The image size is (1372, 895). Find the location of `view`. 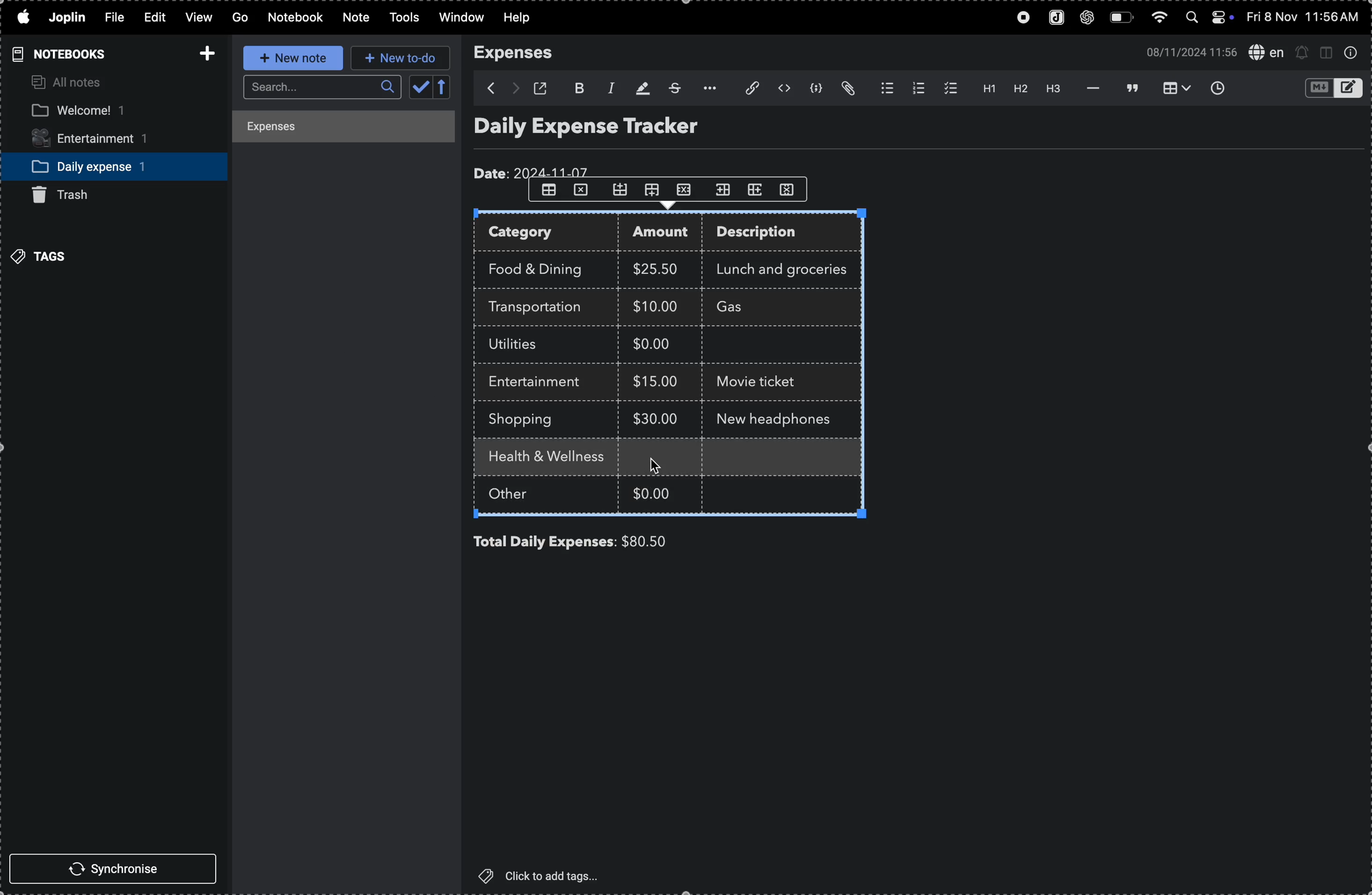

view is located at coordinates (196, 18).